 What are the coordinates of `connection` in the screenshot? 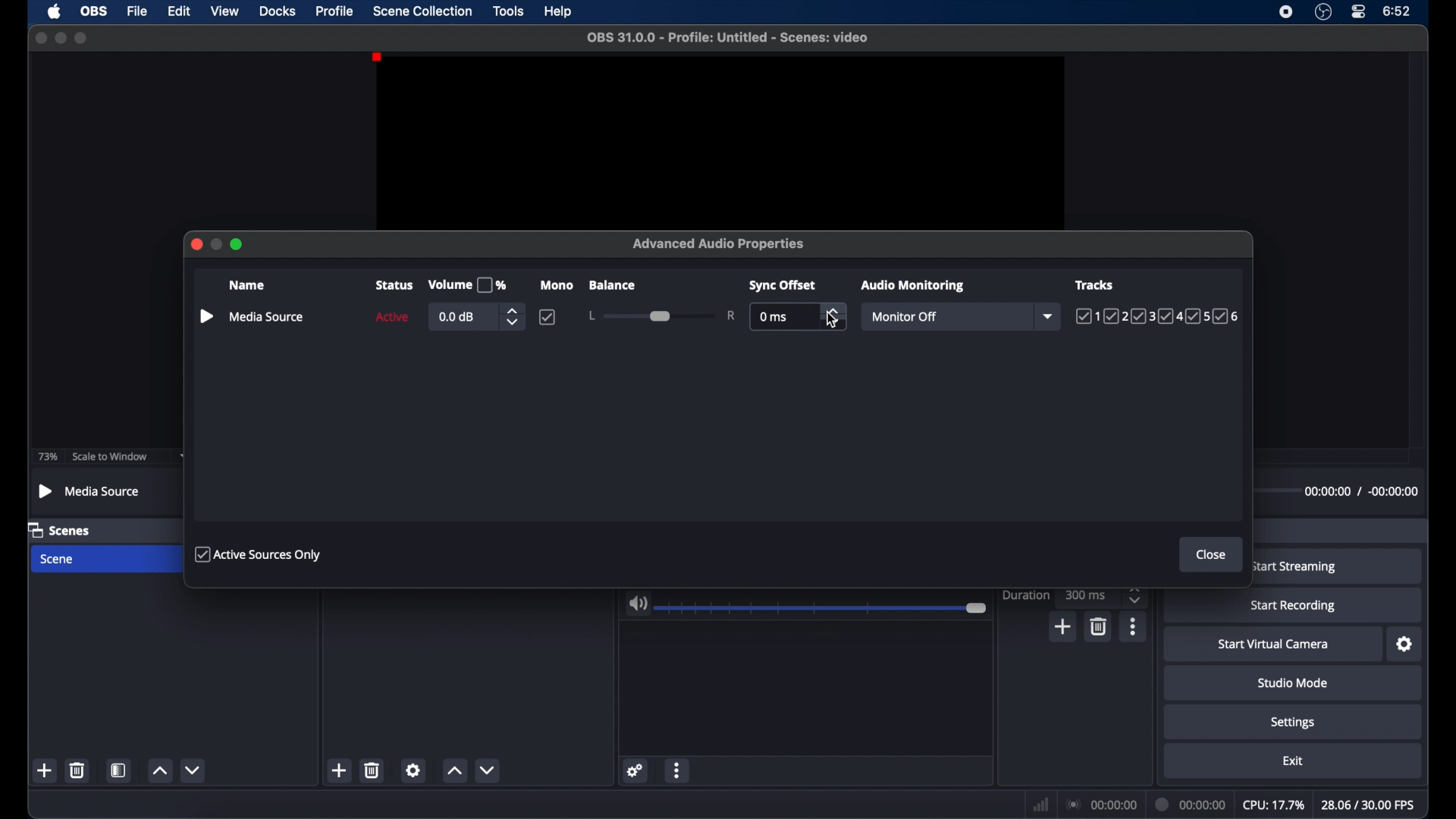 It's located at (1102, 805).